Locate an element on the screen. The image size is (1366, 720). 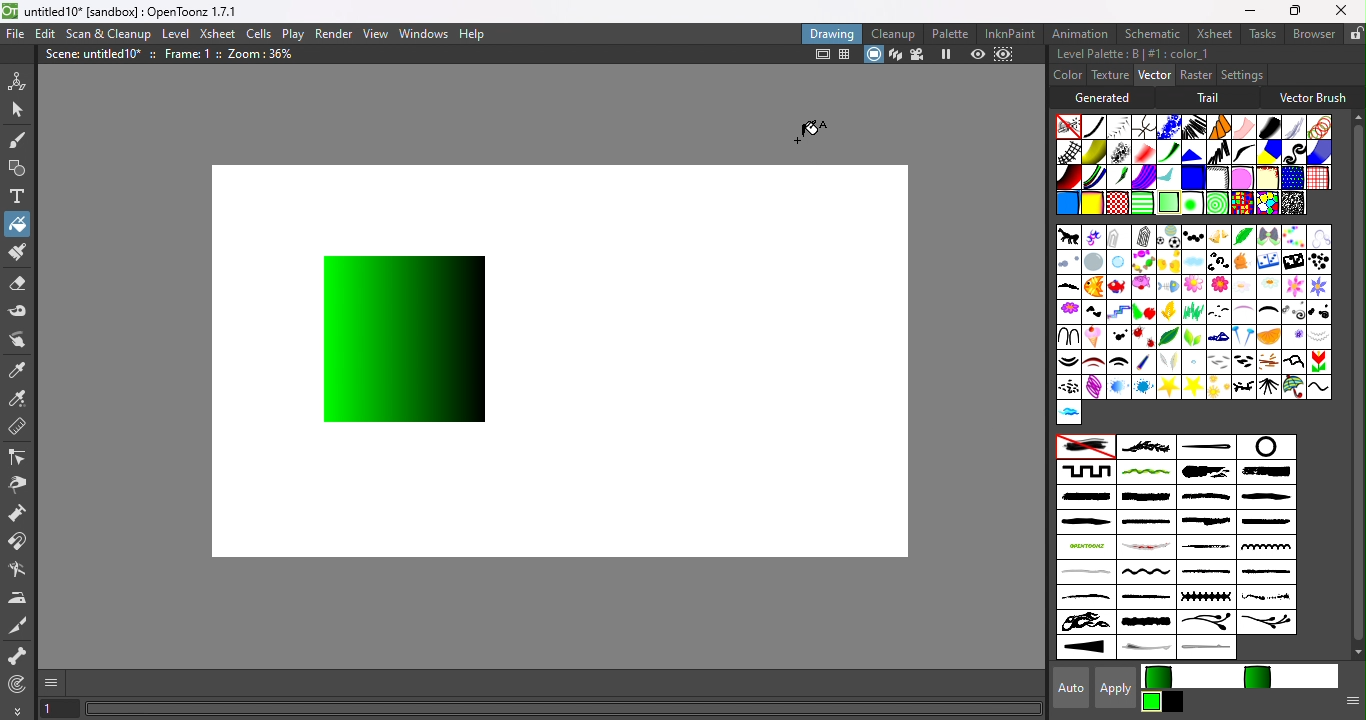
circle is located at coordinates (1264, 447).